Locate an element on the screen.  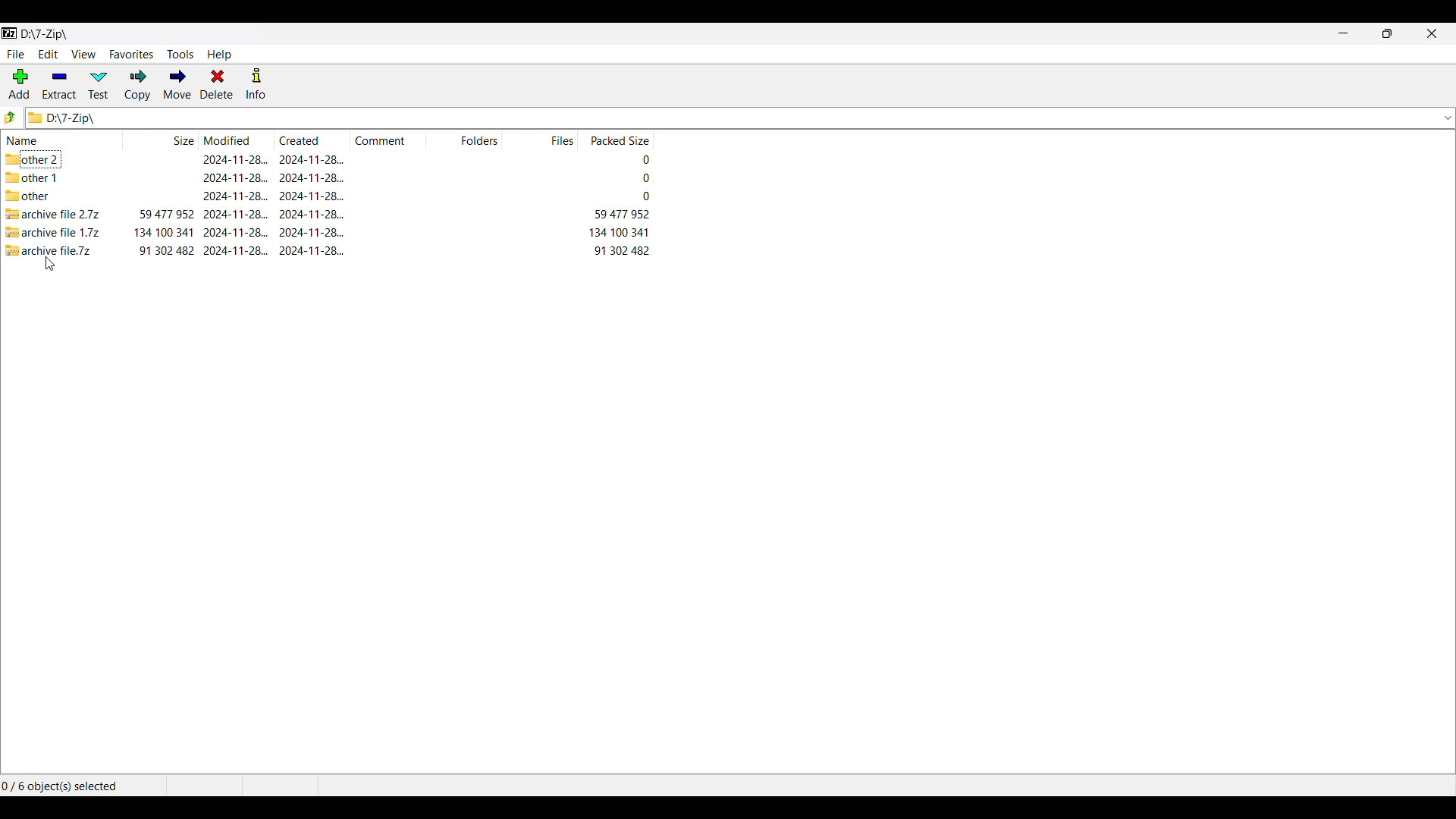
Logo and location of current folder changed is located at coordinates (730, 118).